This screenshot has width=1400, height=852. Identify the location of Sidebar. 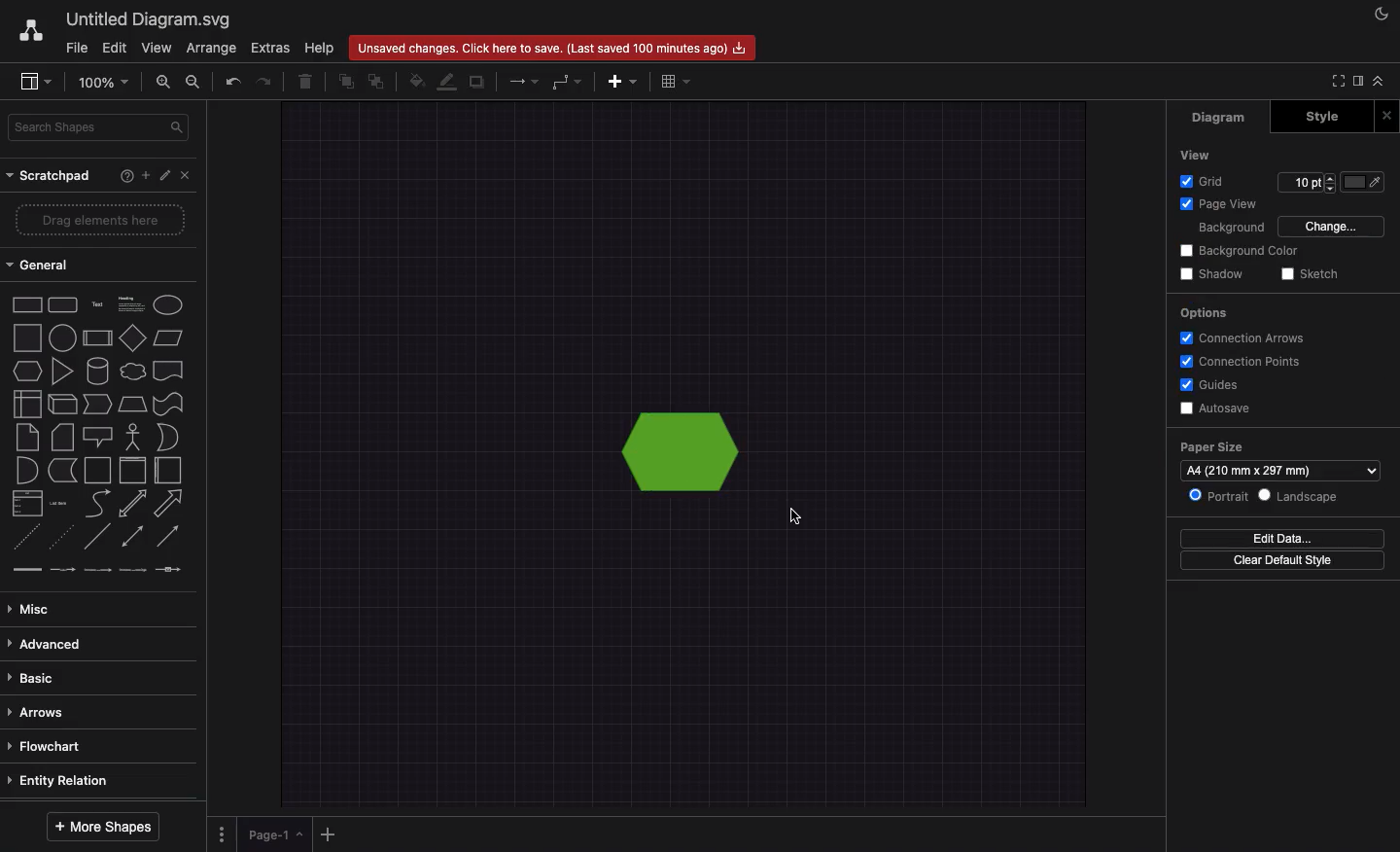
(1356, 81).